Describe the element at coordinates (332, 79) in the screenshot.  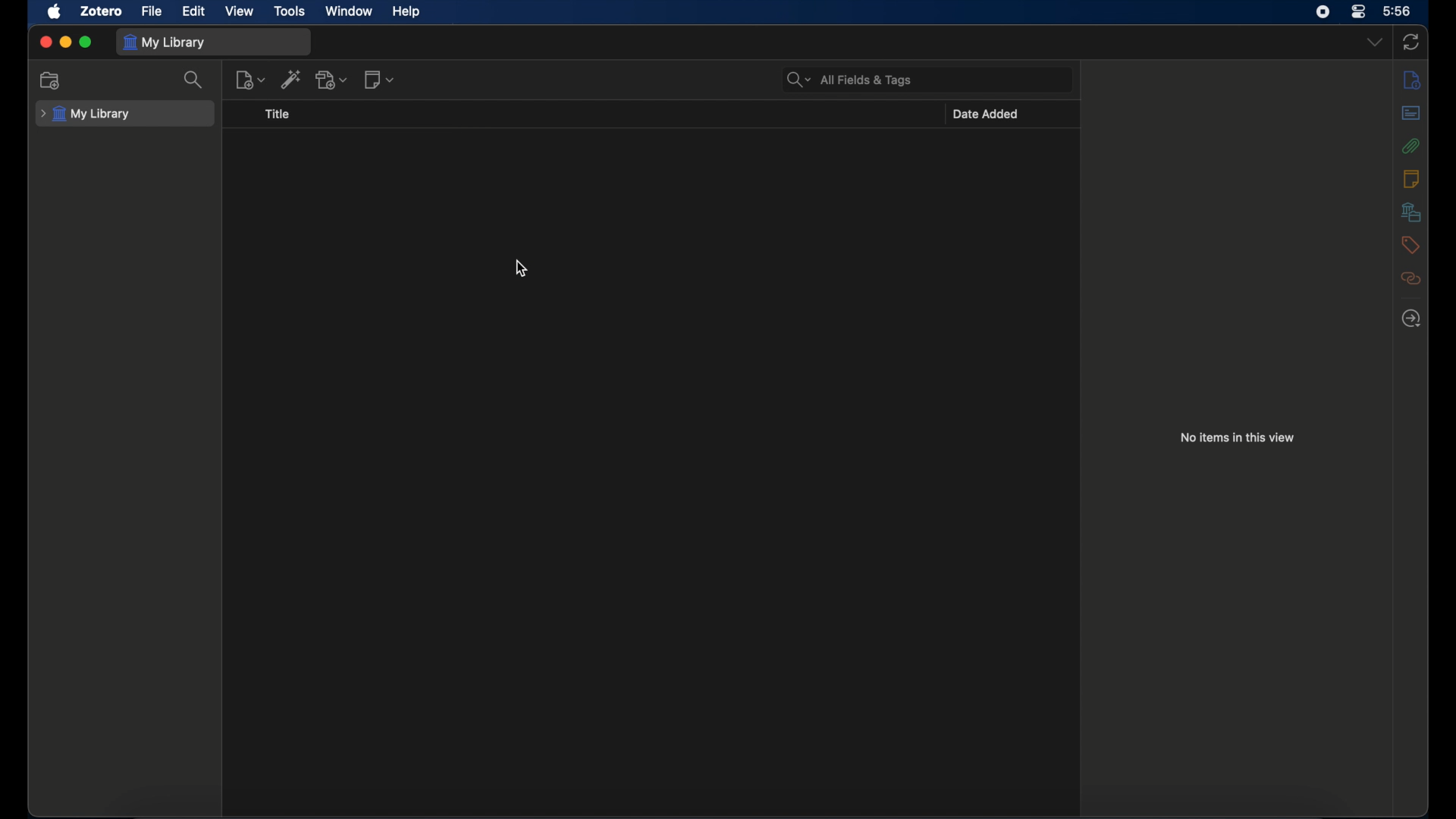
I see `add attachments` at that location.